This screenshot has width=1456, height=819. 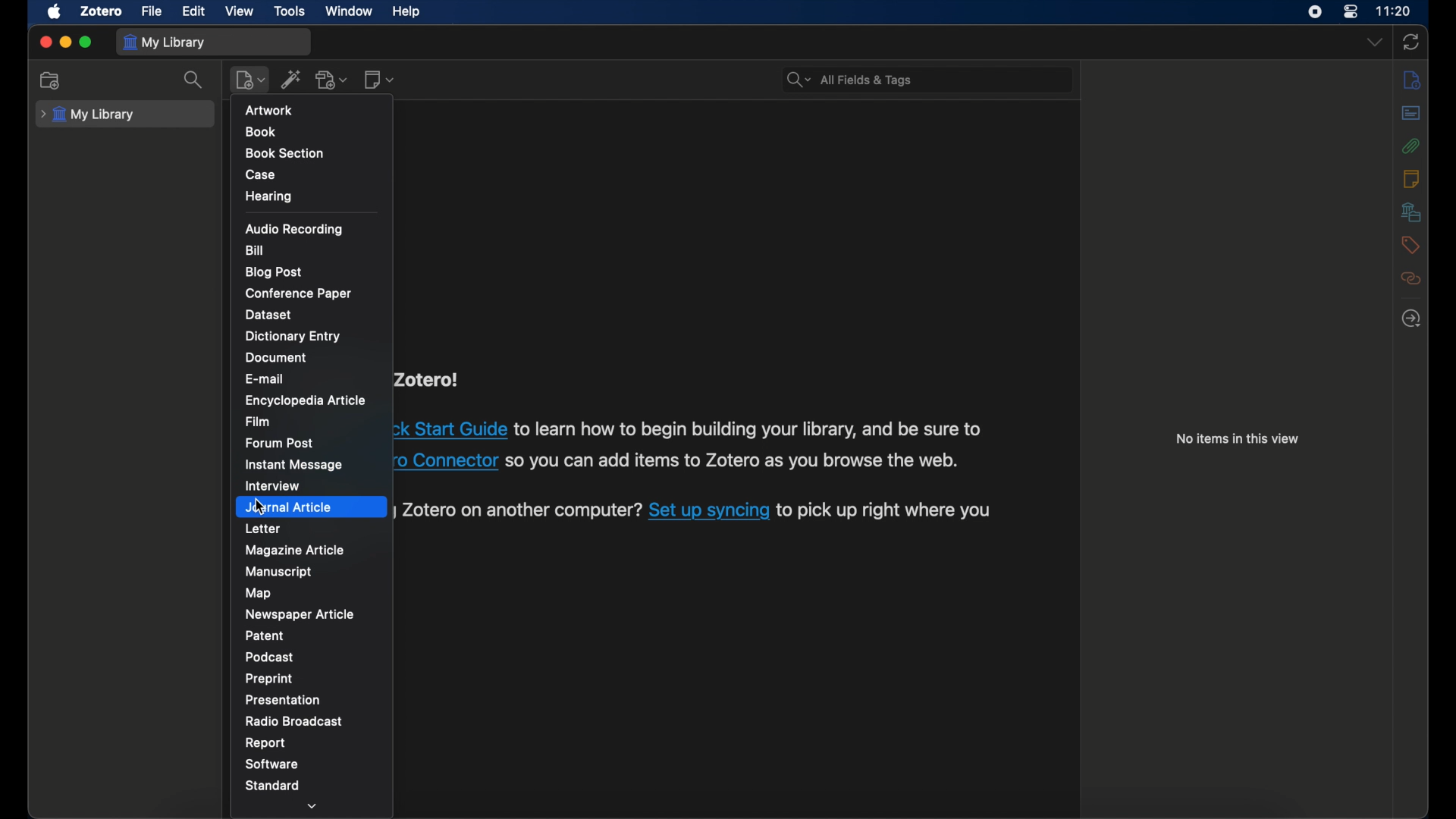 What do you see at coordinates (270, 196) in the screenshot?
I see `hearing` at bounding box center [270, 196].